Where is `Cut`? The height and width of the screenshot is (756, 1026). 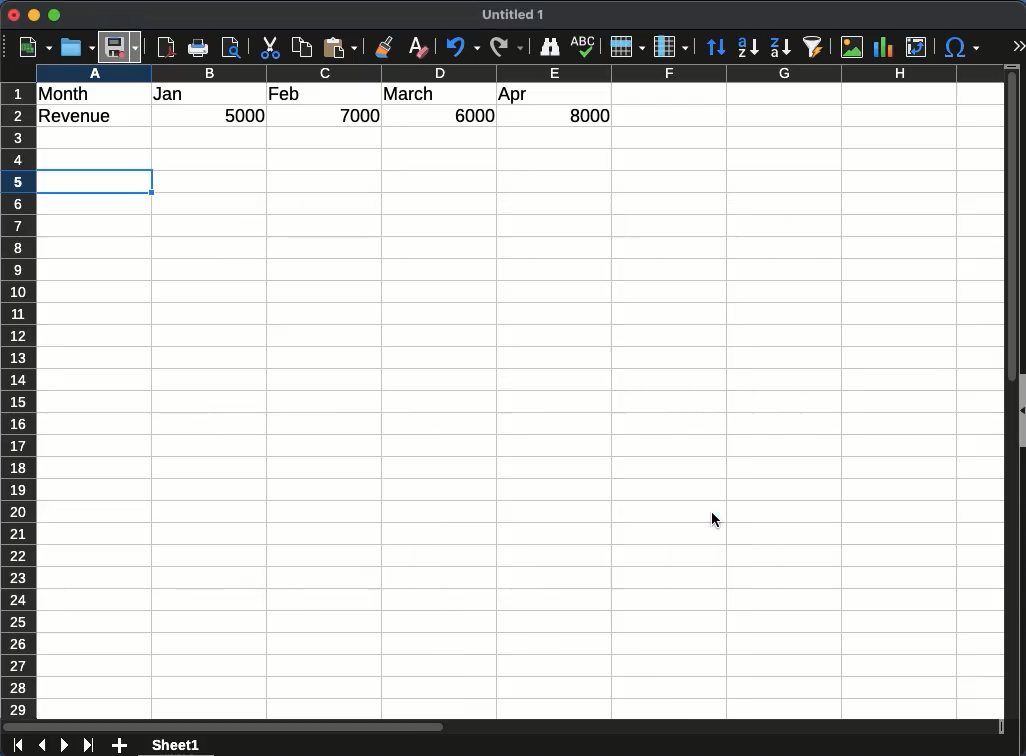
Cut is located at coordinates (270, 48).